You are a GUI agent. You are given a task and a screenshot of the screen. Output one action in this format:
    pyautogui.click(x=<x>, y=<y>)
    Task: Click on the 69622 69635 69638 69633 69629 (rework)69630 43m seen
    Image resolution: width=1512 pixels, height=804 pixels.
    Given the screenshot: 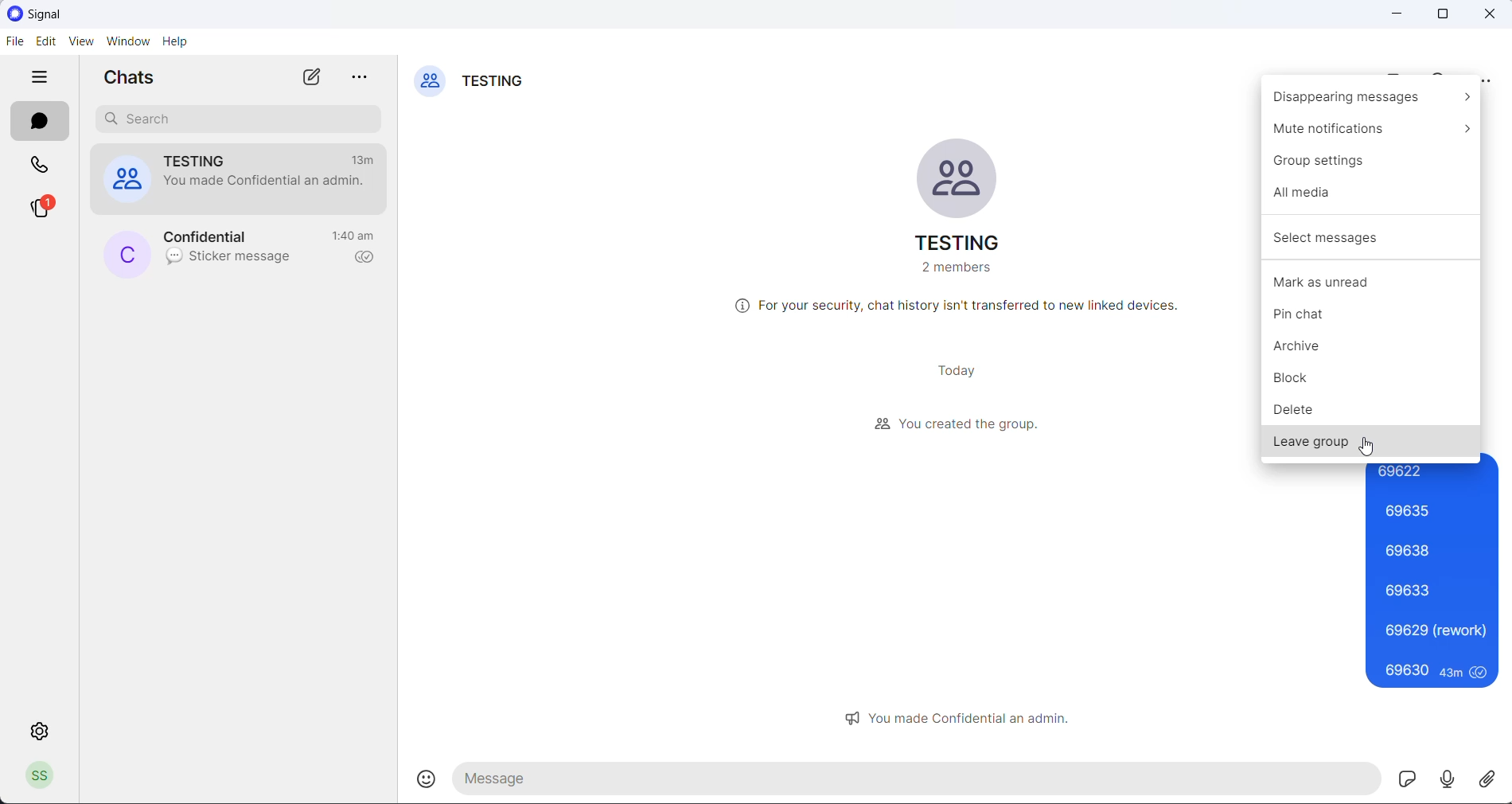 What is the action you would take?
    pyautogui.click(x=1433, y=576)
    